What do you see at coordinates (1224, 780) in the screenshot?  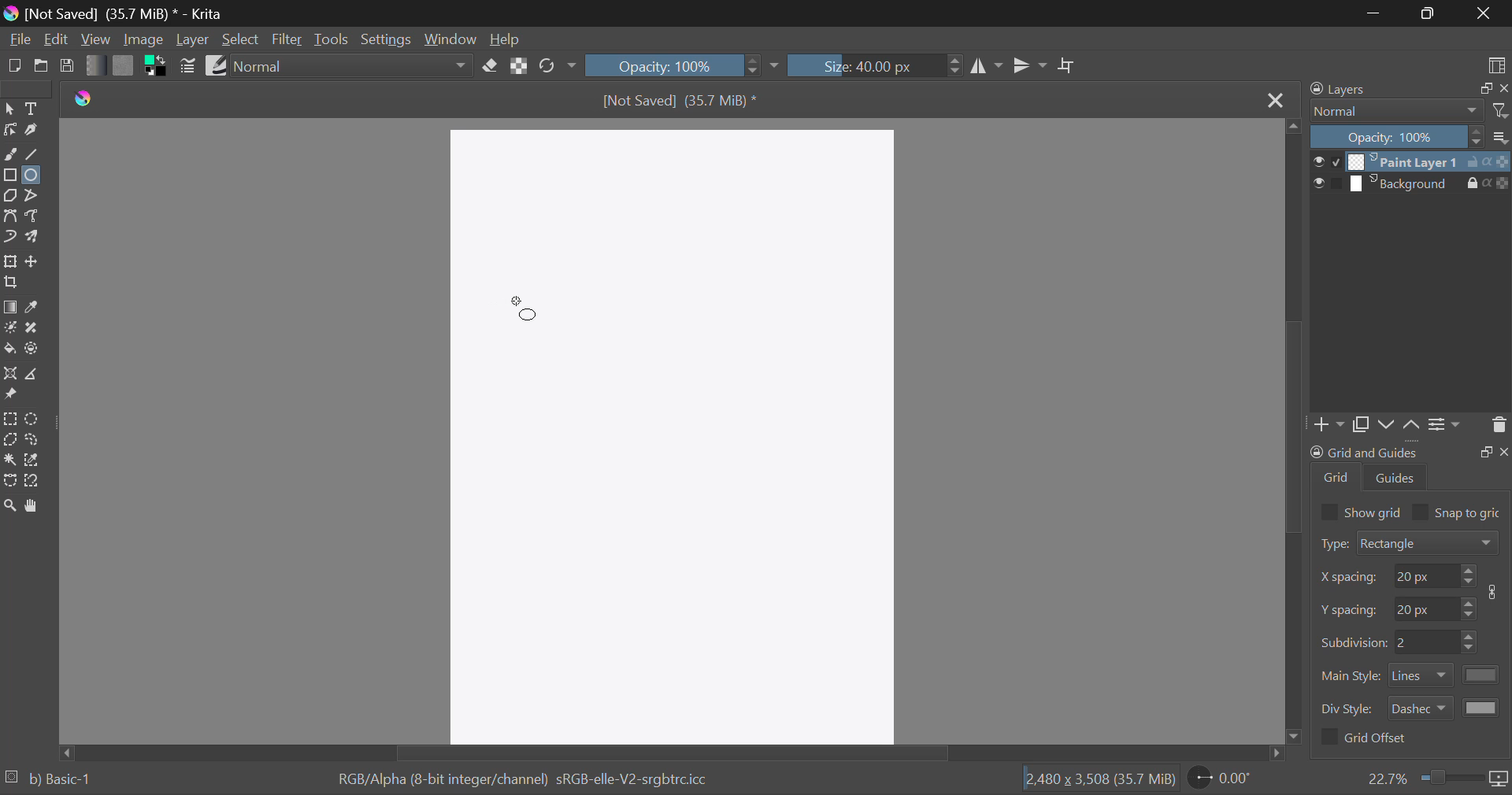 I see `Page Rotation` at bounding box center [1224, 780].